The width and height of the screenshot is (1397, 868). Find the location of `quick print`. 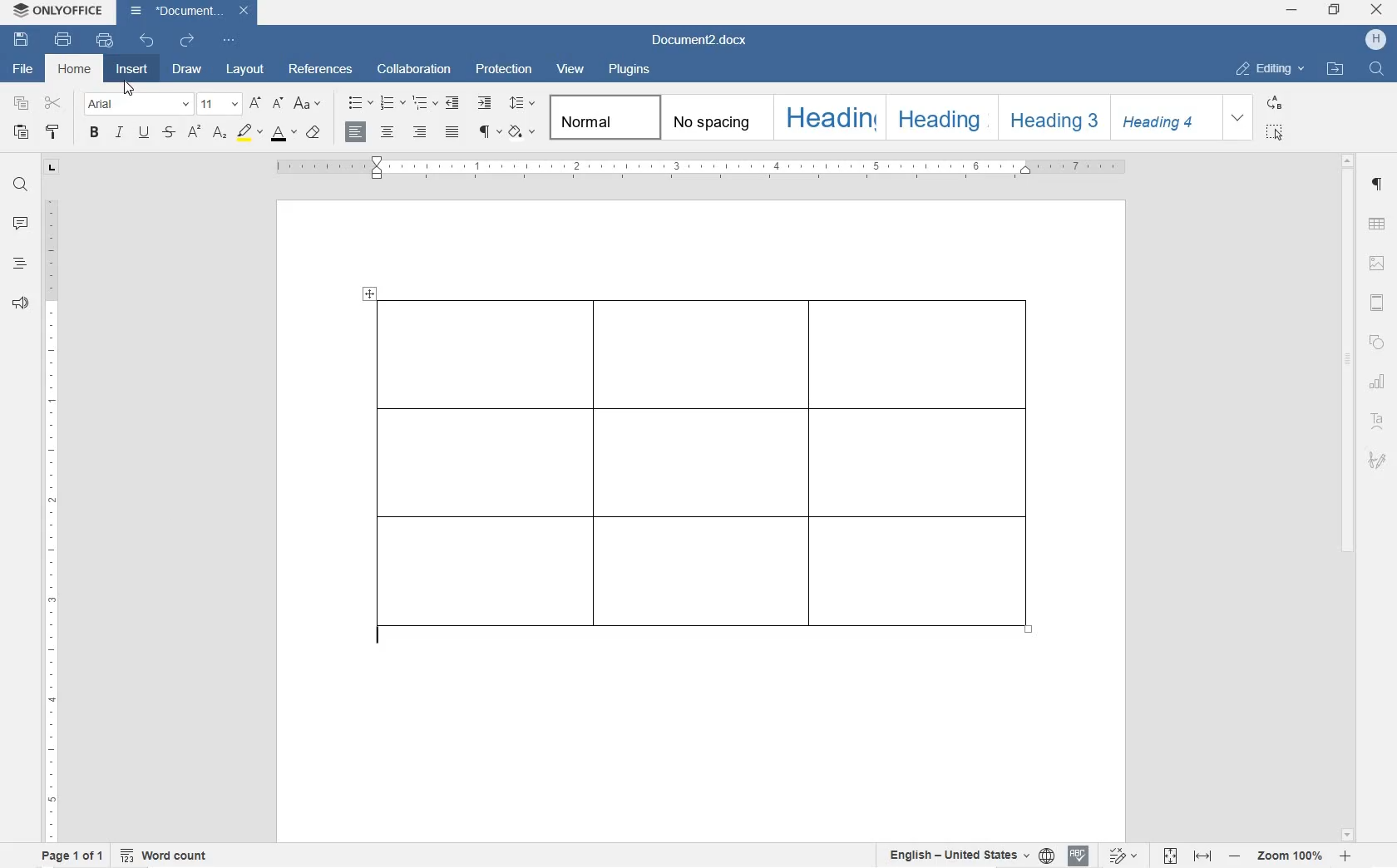

quick print is located at coordinates (105, 40).